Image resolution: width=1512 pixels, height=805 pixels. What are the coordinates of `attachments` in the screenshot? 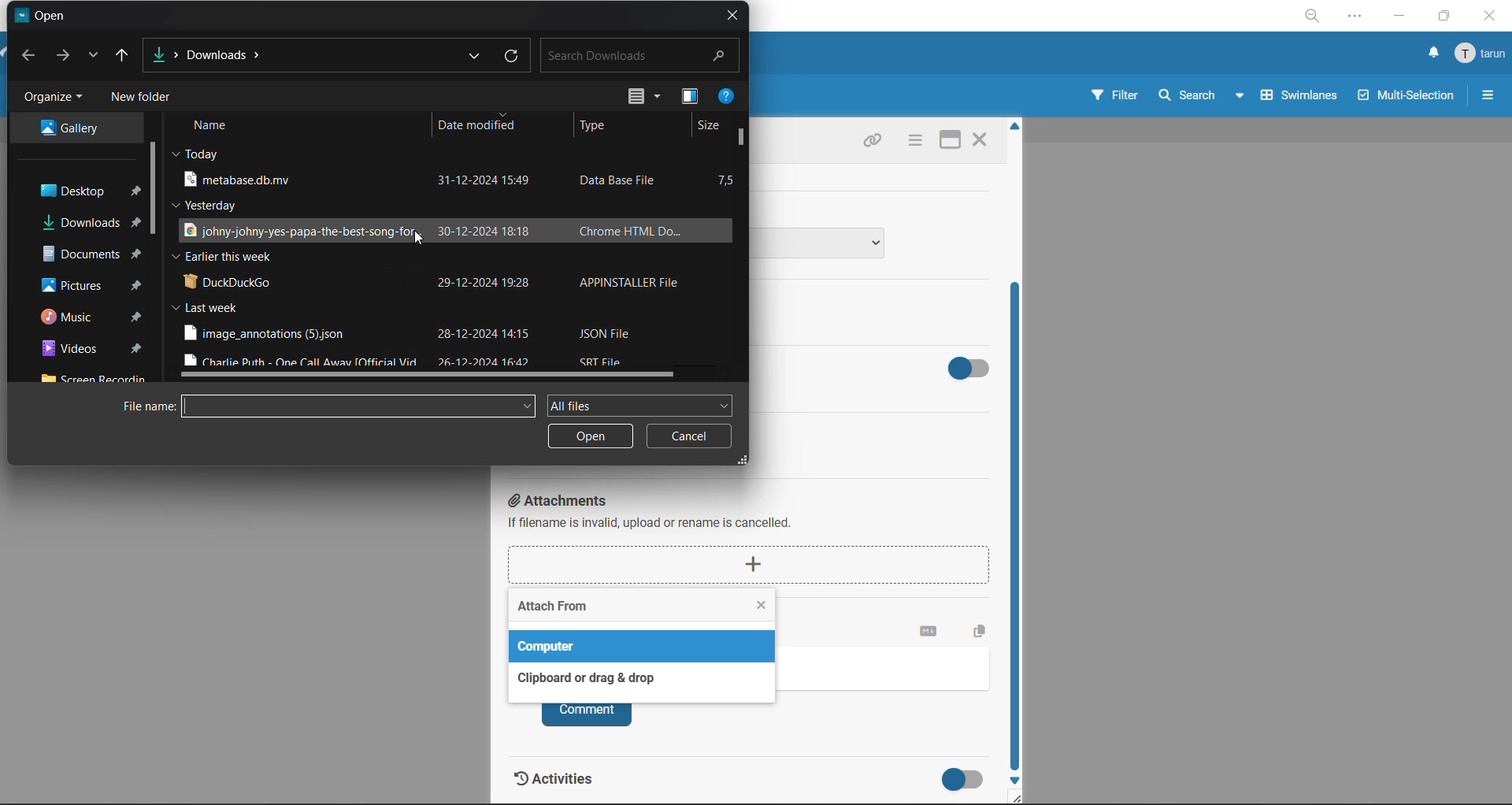 It's located at (756, 540).